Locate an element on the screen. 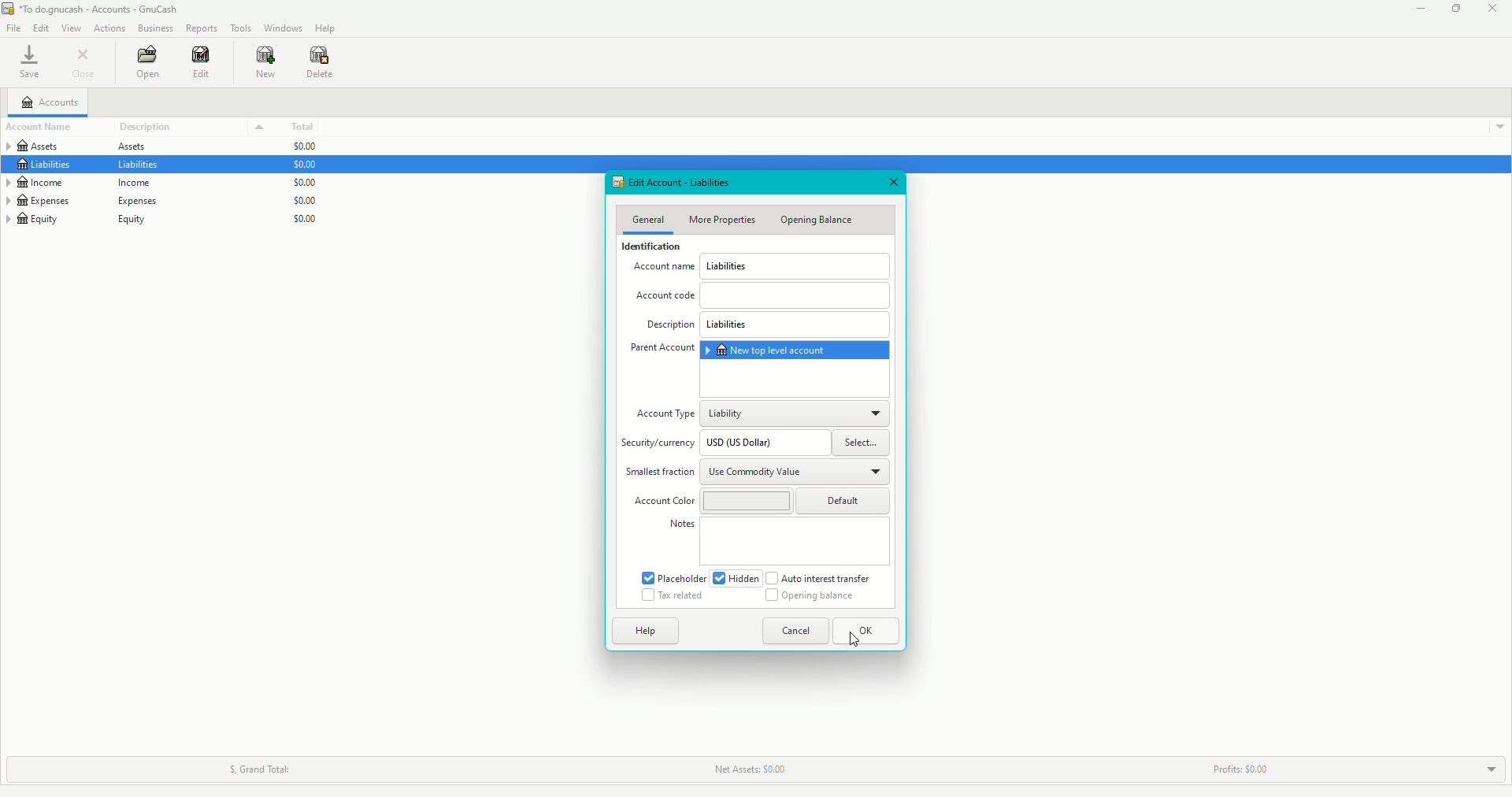 This screenshot has width=1512, height=797. Cancel is located at coordinates (795, 632).